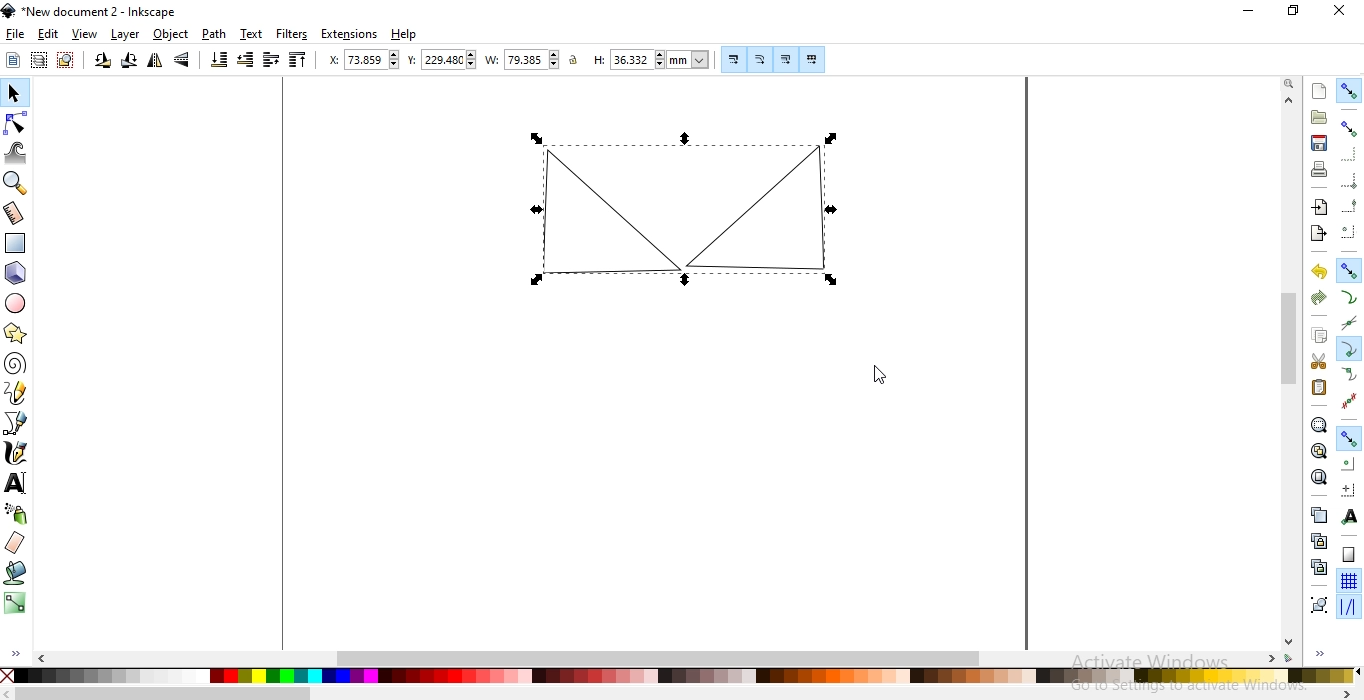  What do you see at coordinates (1348, 297) in the screenshot?
I see `snap to paths` at bounding box center [1348, 297].